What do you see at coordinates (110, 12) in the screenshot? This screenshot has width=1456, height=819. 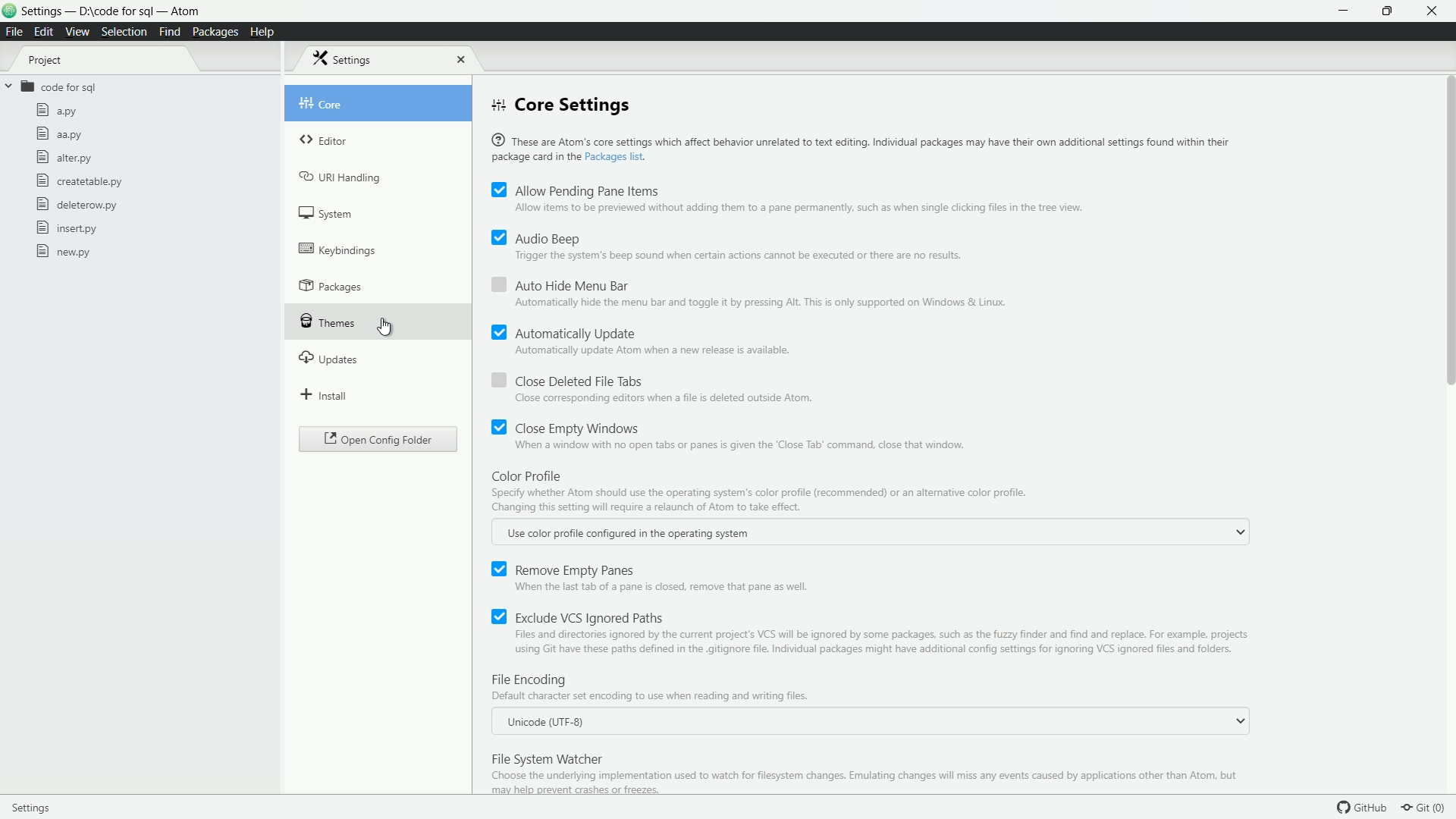 I see `project - D:\code for sql - atom` at bounding box center [110, 12].